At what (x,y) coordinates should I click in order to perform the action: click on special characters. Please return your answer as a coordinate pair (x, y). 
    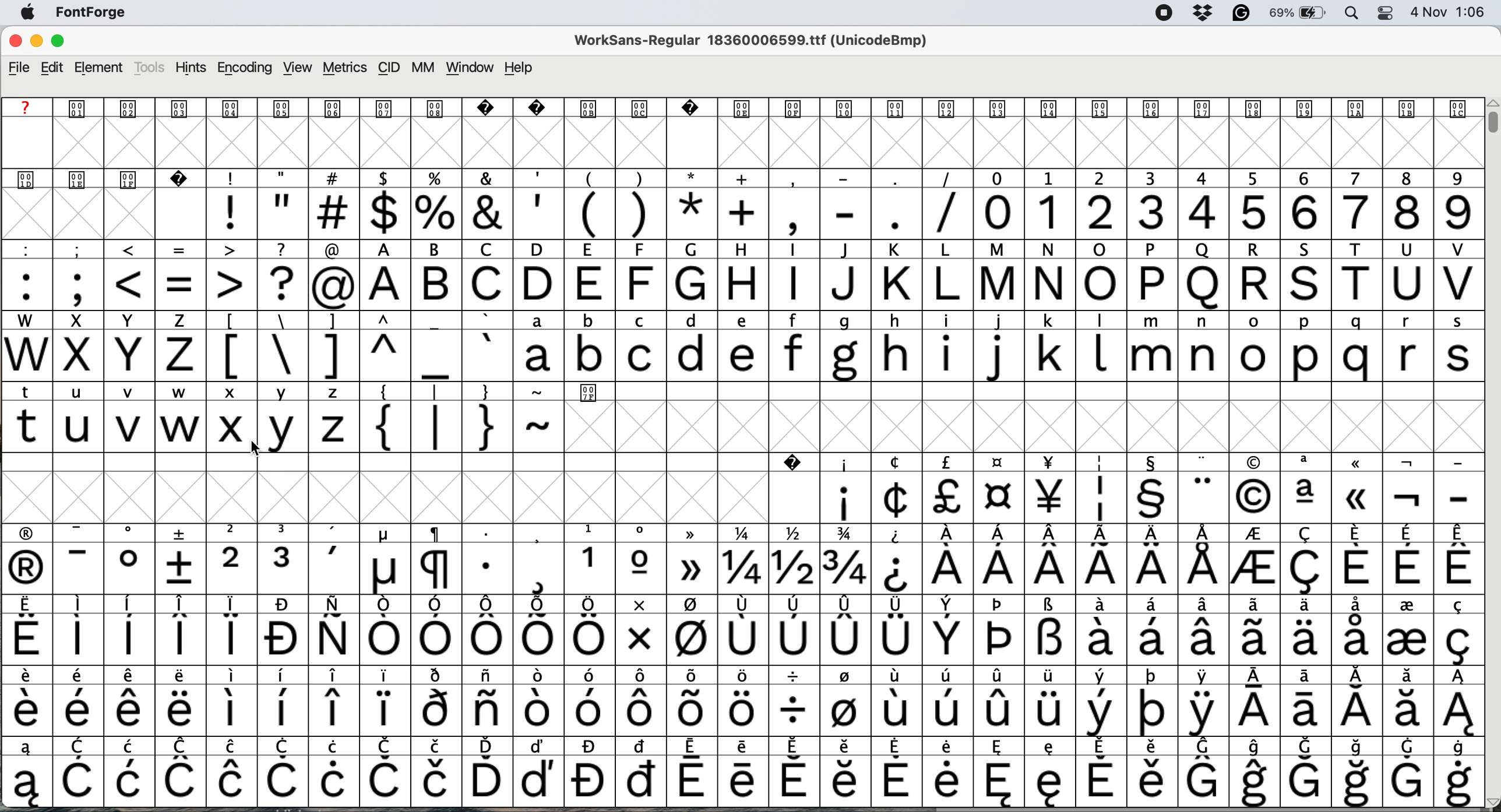
    Looking at the image, I should click on (740, 569).